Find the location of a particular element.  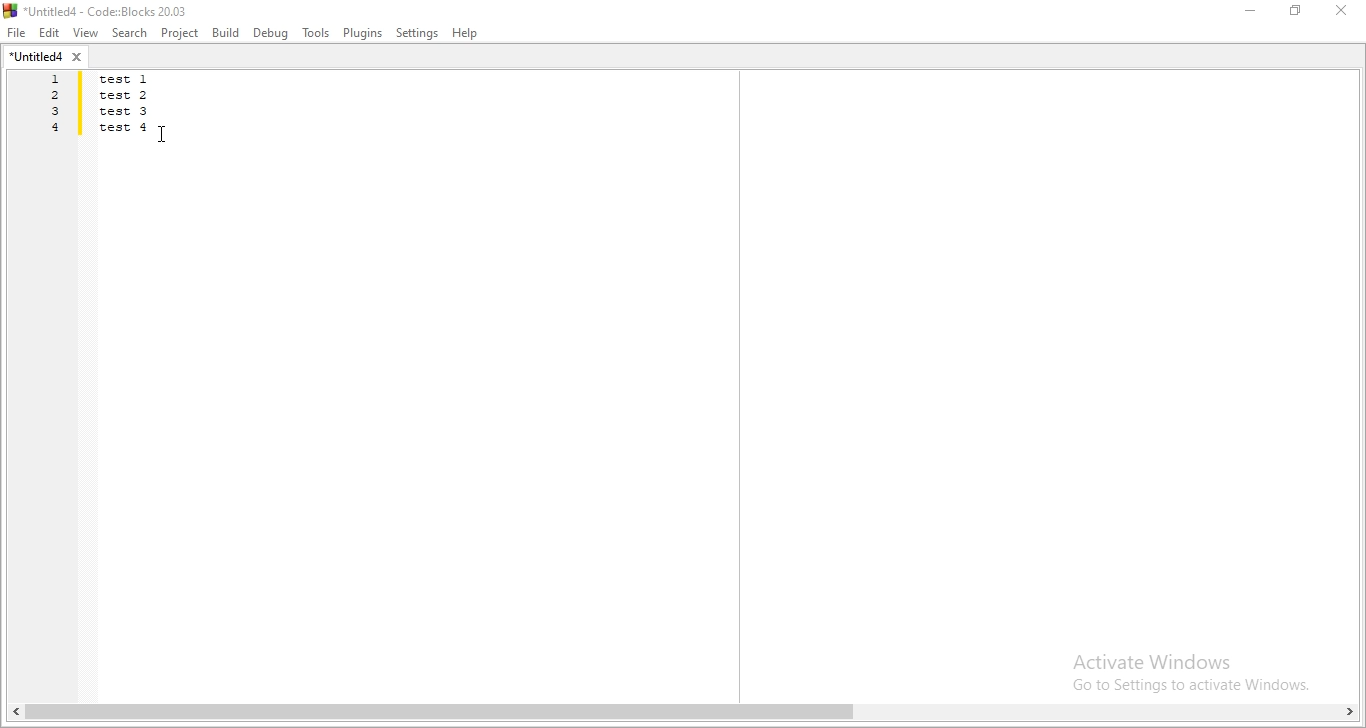

Edit  is located at coordinates (50, 33).